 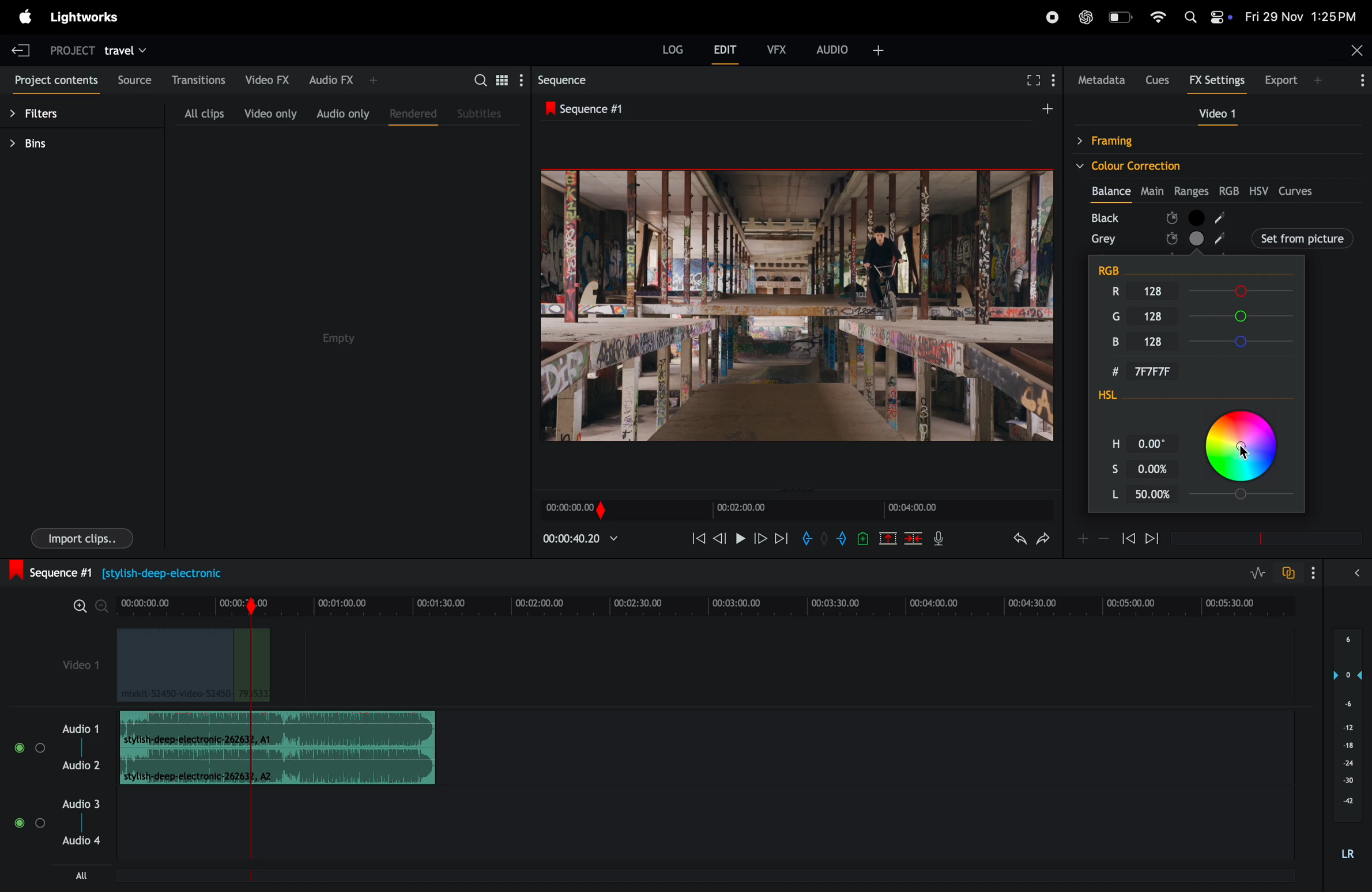 What do you see at coordinates (1051, 18) in the screenshot?
I see `recorder` at bounding box center [1051, 18].